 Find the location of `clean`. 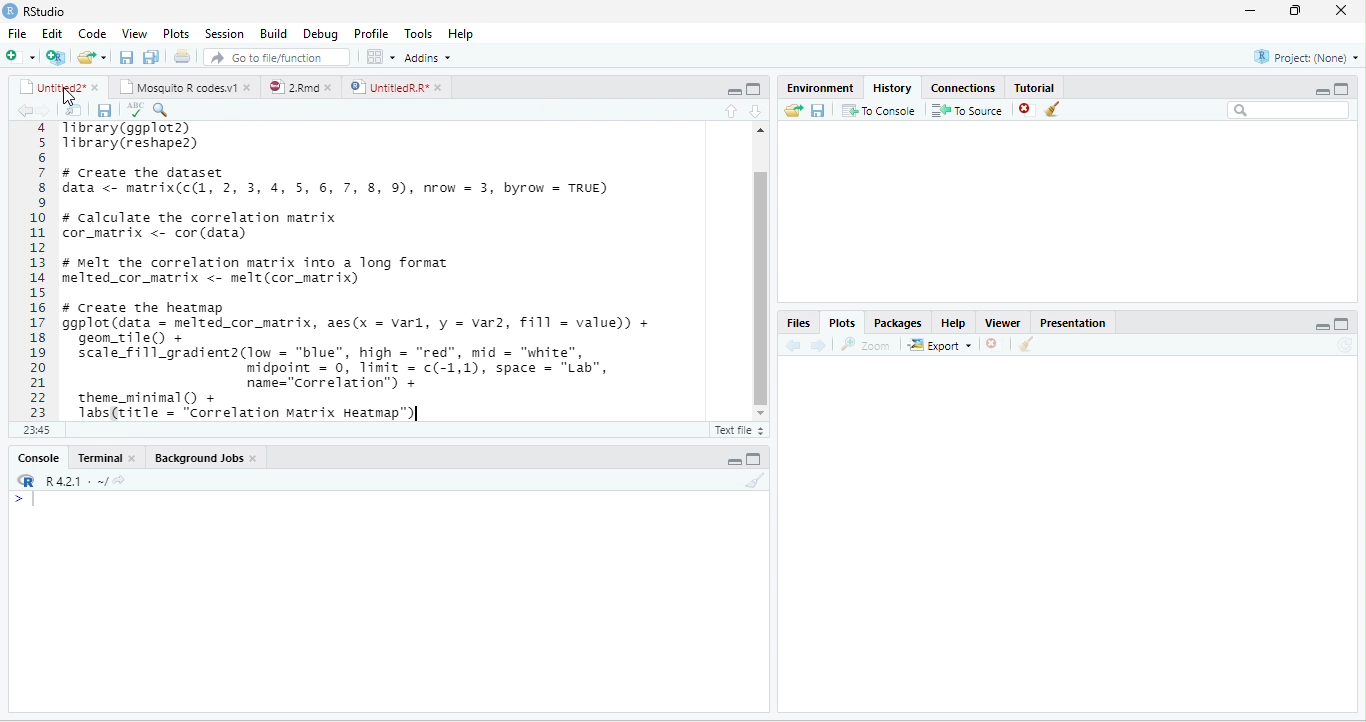

clean is located at coordinates (1066, 111).